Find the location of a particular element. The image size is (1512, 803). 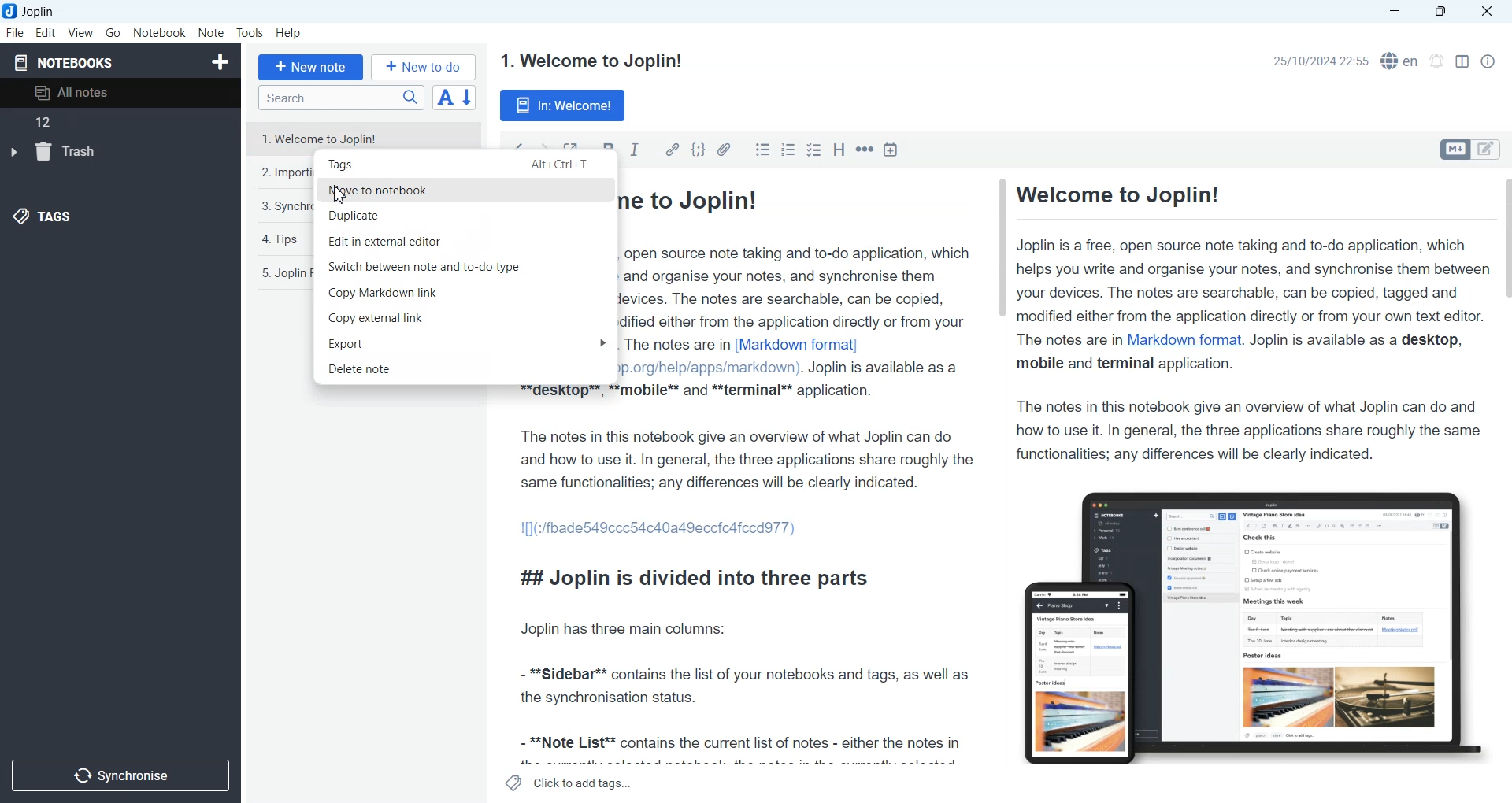

Code is located at coordinates (699, 150).